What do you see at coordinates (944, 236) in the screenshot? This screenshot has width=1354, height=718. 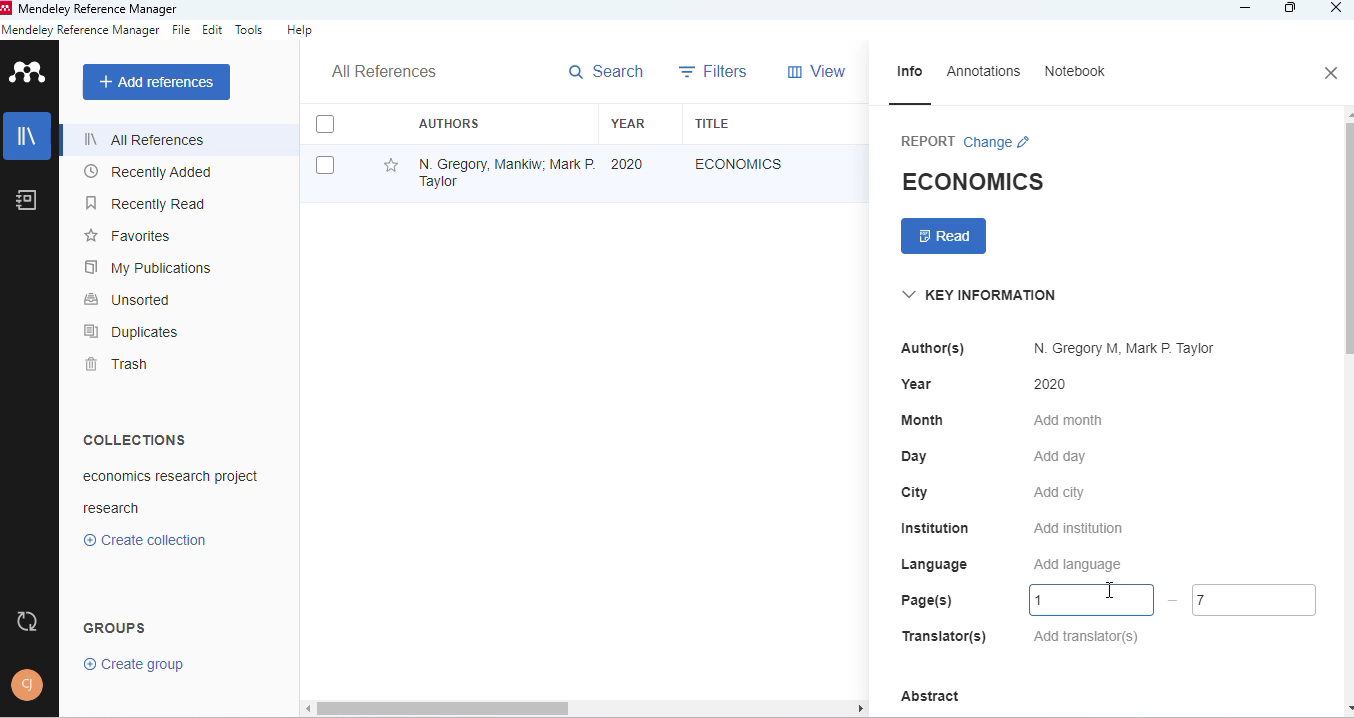 I see `read` at bounding box center [944, 236].